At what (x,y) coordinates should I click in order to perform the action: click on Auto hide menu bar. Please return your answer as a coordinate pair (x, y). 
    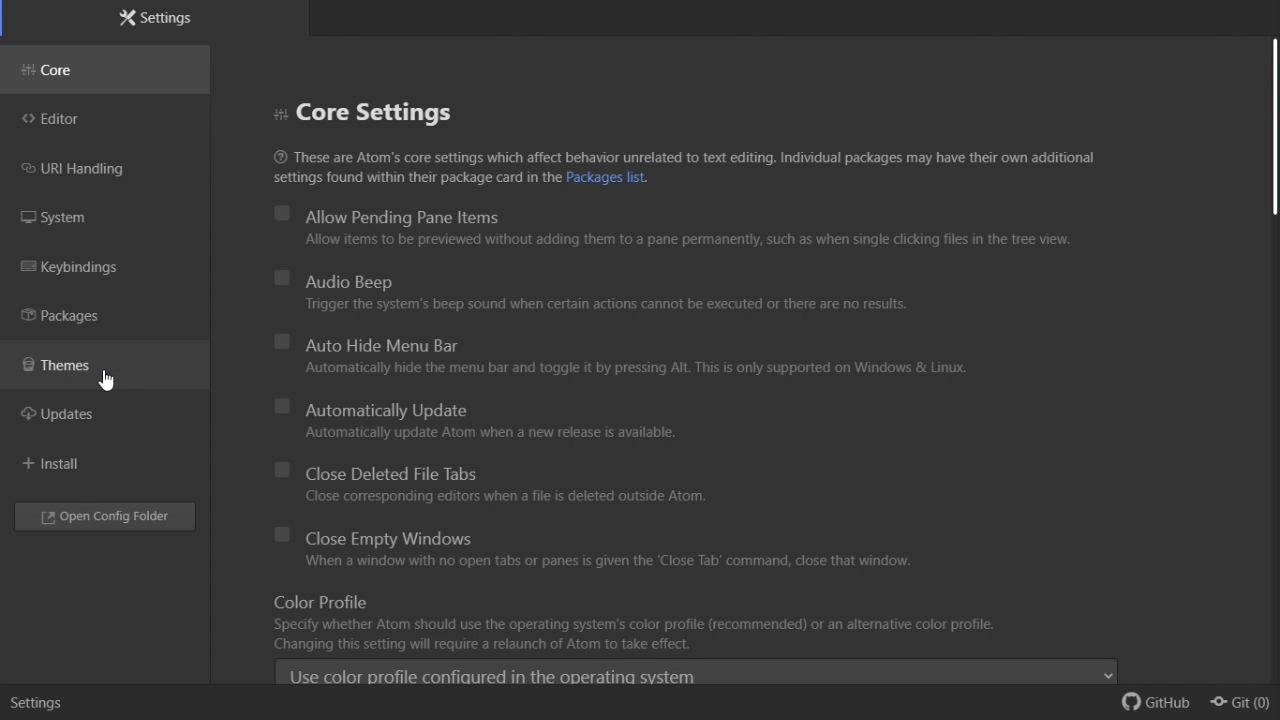
    Looking at the image, I should click on (639, 349).